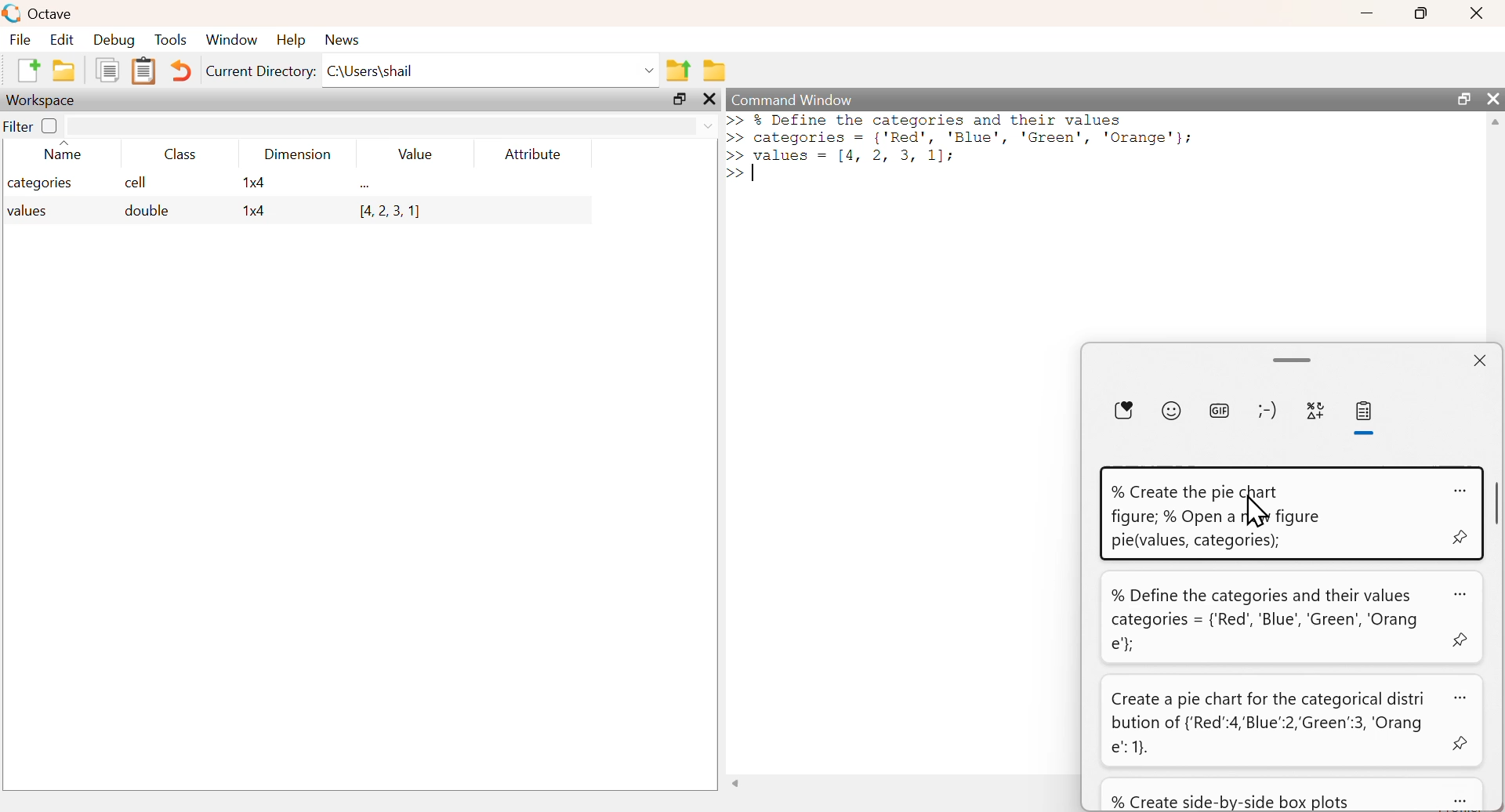 This screenshot has width=1505, height=812. I want to click on more options, so click(1462, 799).